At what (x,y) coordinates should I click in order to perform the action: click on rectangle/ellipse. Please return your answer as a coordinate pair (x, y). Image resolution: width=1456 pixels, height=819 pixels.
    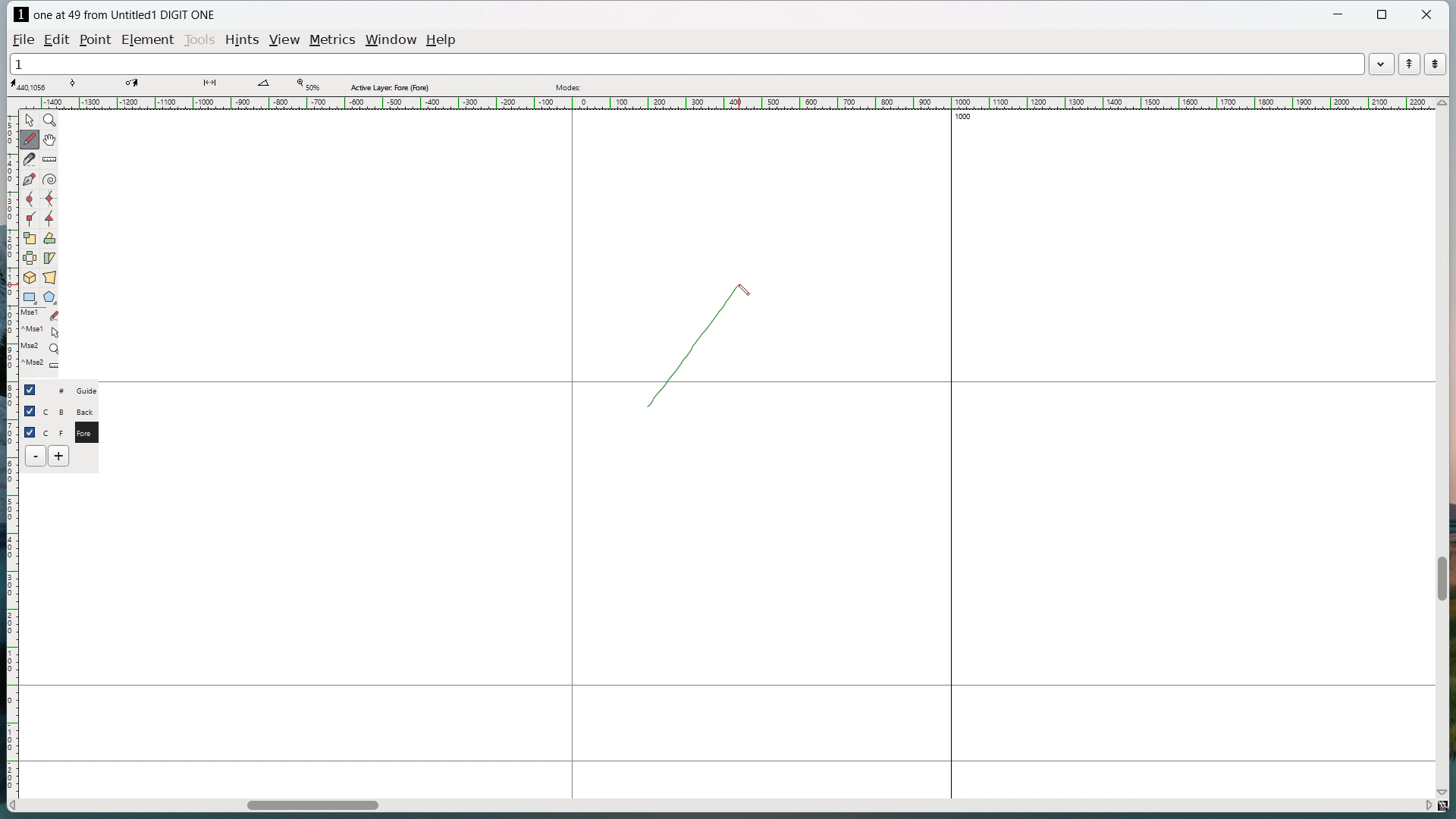
    Looking at the image, I should click on (30, 297).